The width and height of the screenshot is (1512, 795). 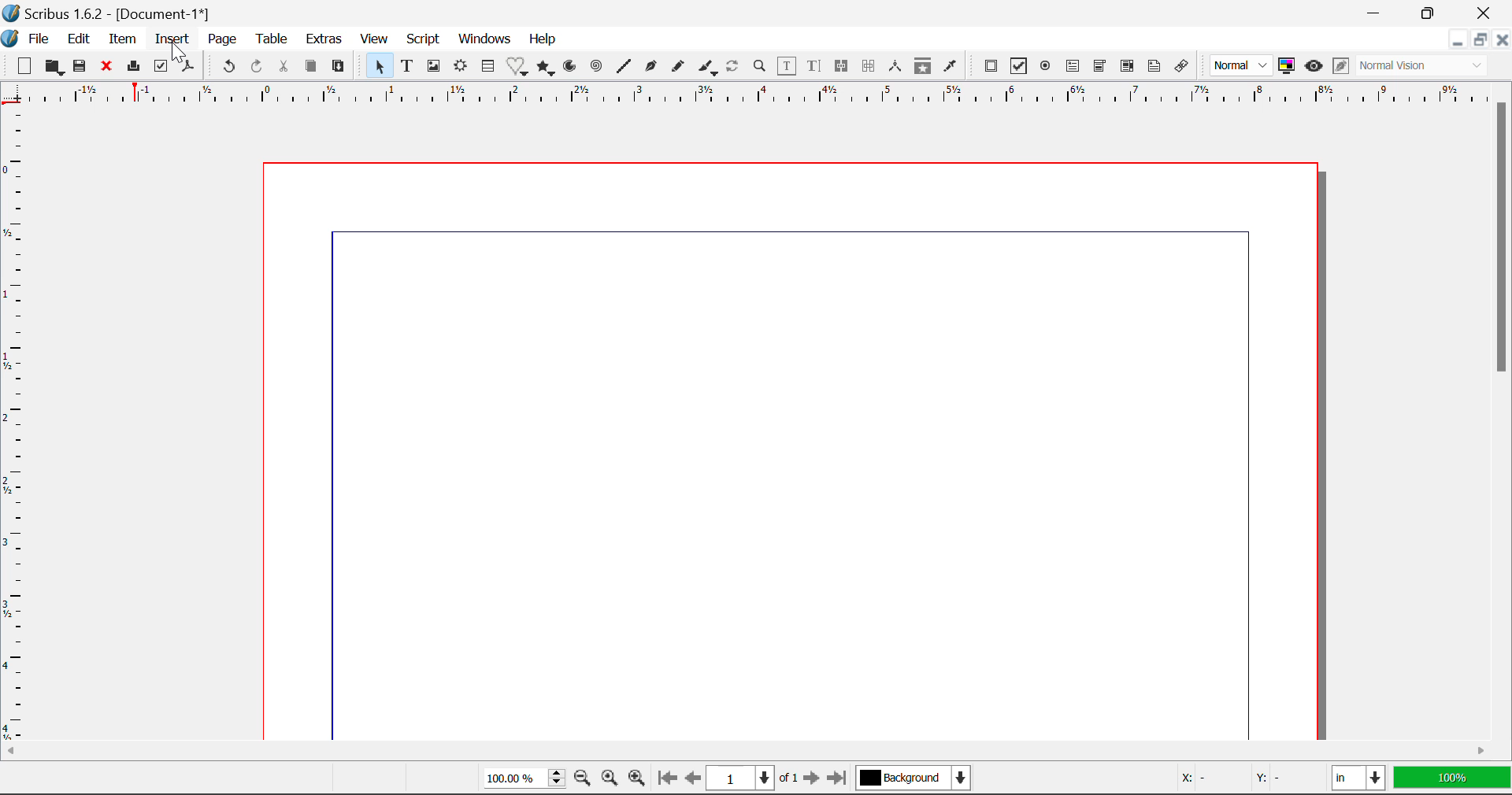 I want to click on Open, so click(x=55, y=67).